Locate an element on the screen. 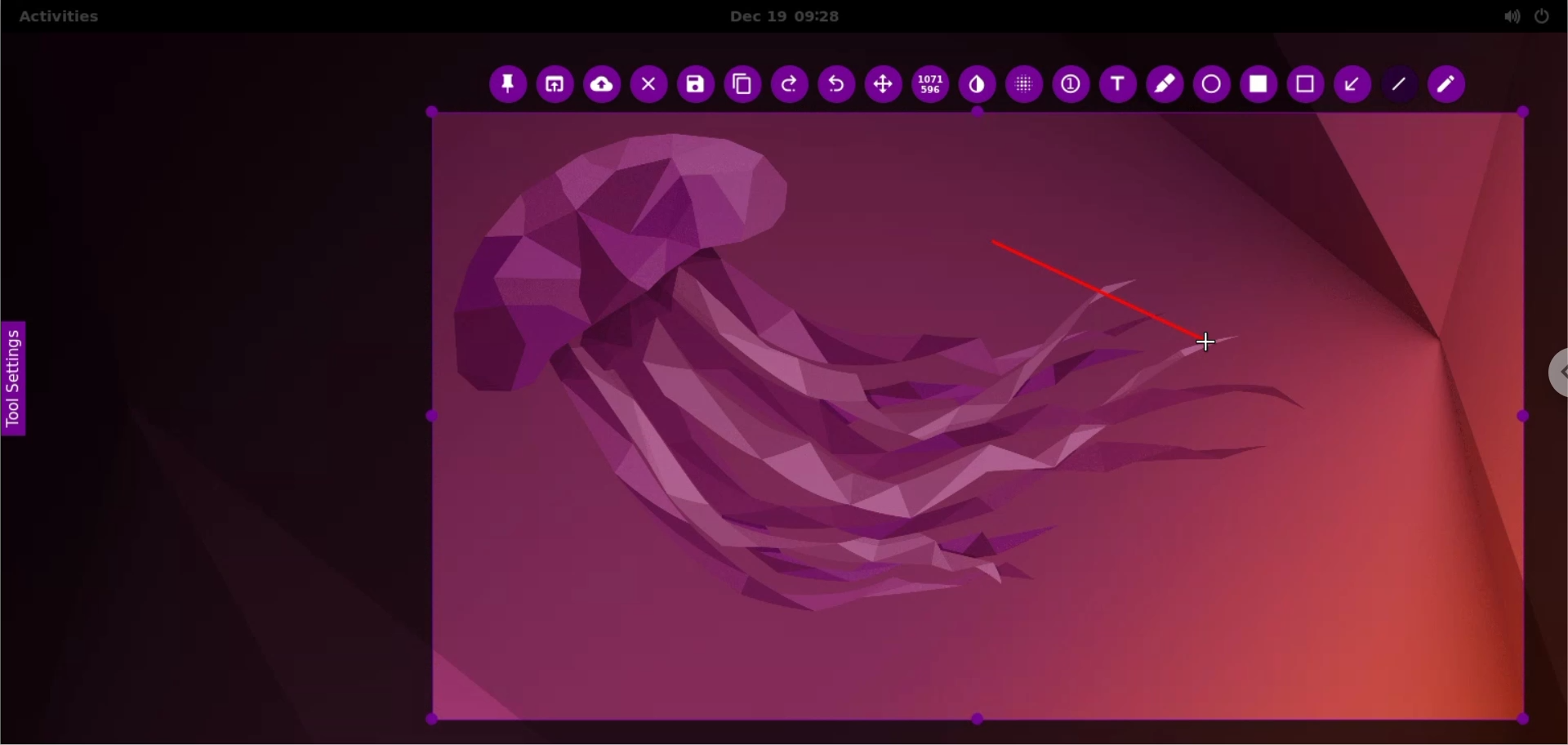 Image resolution: width=1568 pixels, height=745 pixels. line is located at coordinates (1397, 85).